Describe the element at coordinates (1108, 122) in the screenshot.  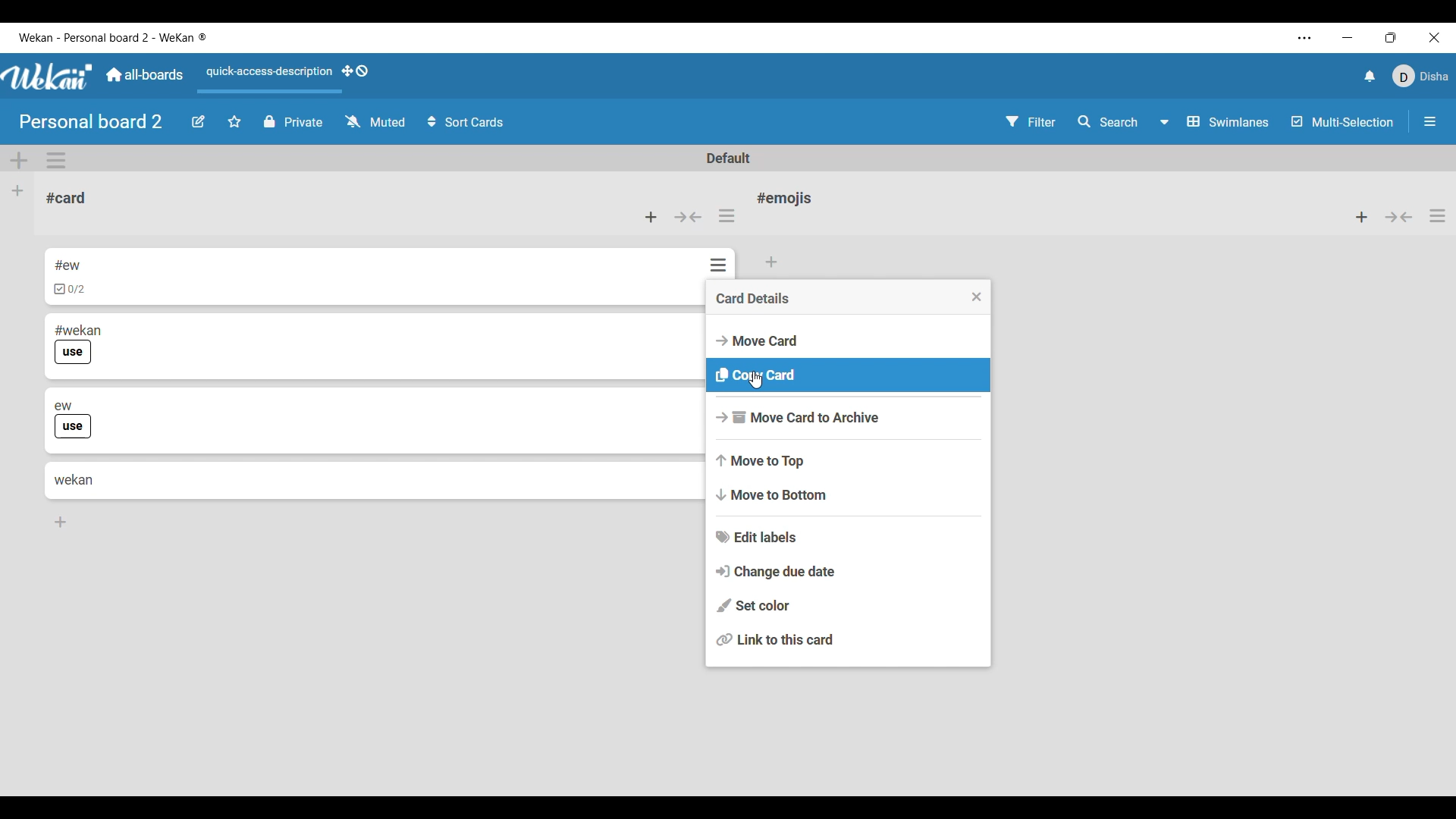
I see `Search ` at that location.